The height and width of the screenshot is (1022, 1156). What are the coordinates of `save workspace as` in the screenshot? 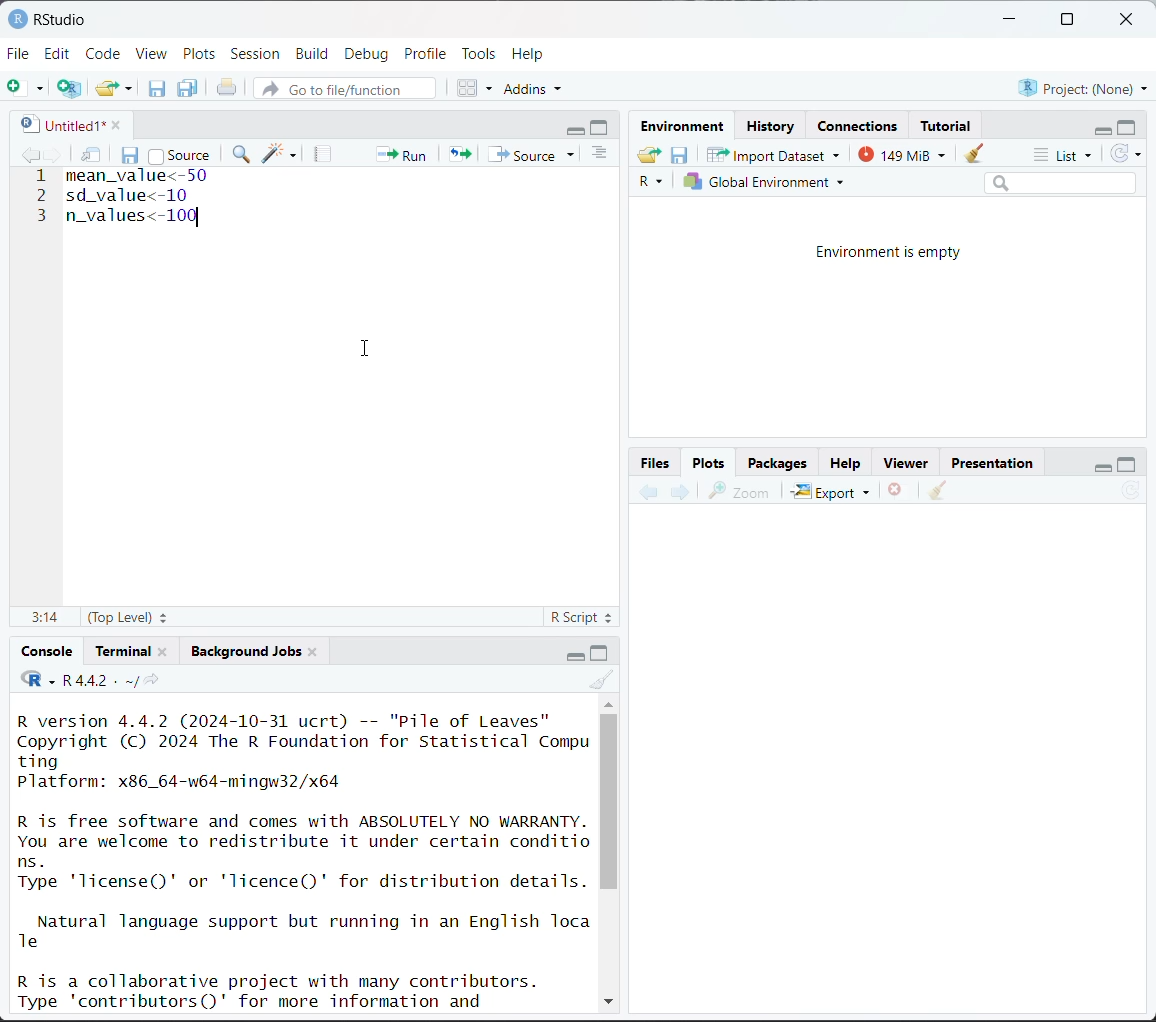 It's located at (680, 156).